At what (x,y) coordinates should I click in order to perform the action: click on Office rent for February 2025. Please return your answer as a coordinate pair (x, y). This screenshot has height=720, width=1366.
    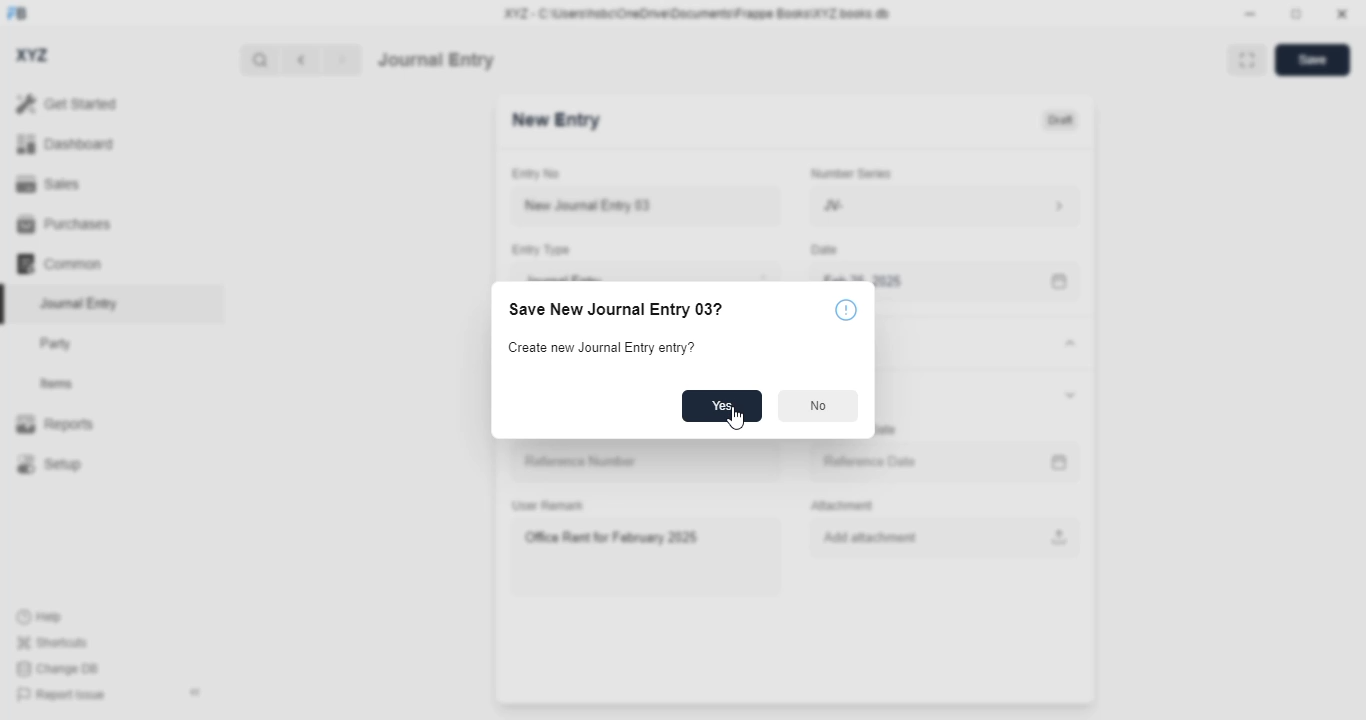
    Looking at the image, I should click on (644, 556).